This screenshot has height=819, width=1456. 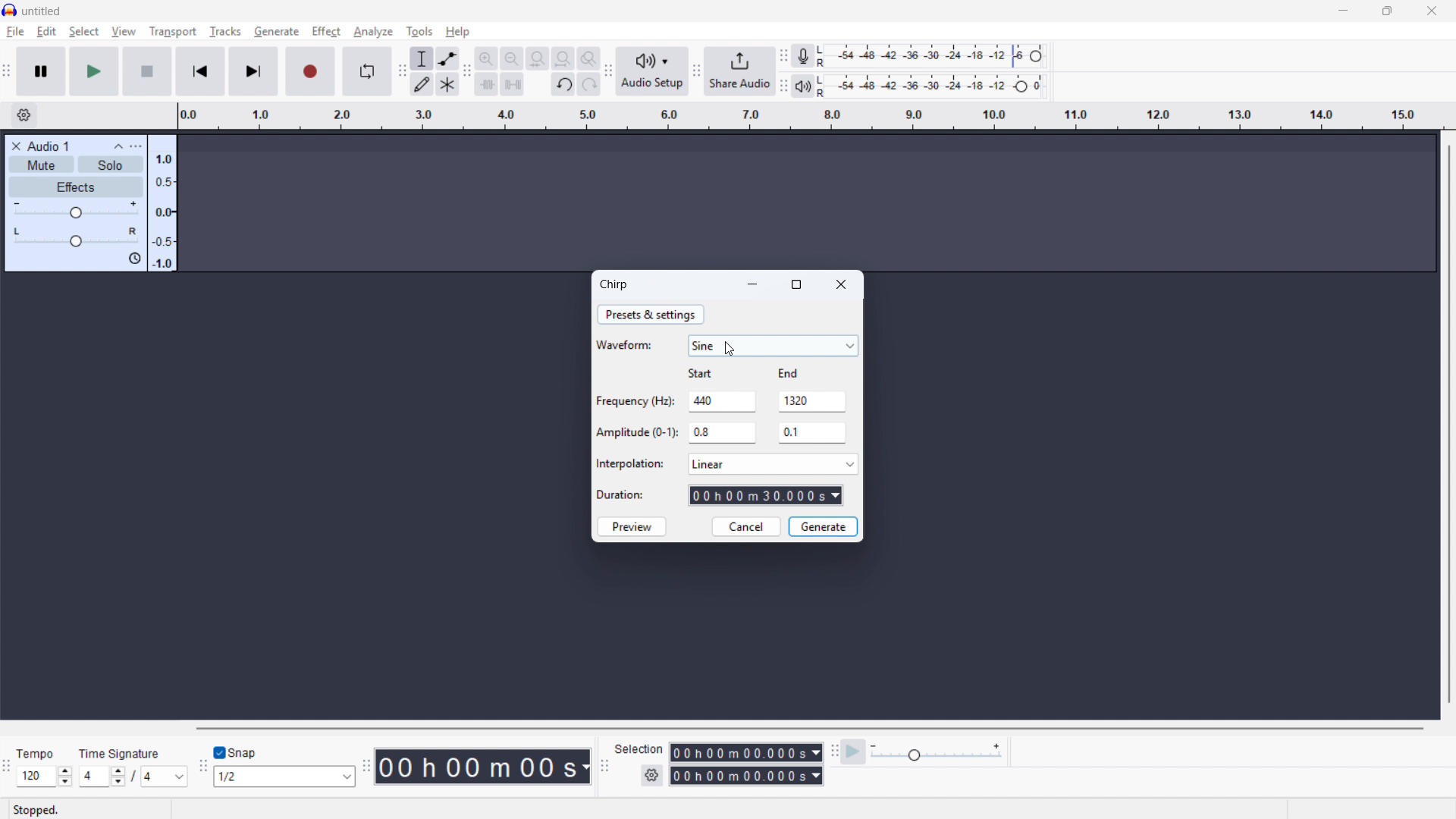 I want to click on Toggle zoom , so click(x=588, y=58).